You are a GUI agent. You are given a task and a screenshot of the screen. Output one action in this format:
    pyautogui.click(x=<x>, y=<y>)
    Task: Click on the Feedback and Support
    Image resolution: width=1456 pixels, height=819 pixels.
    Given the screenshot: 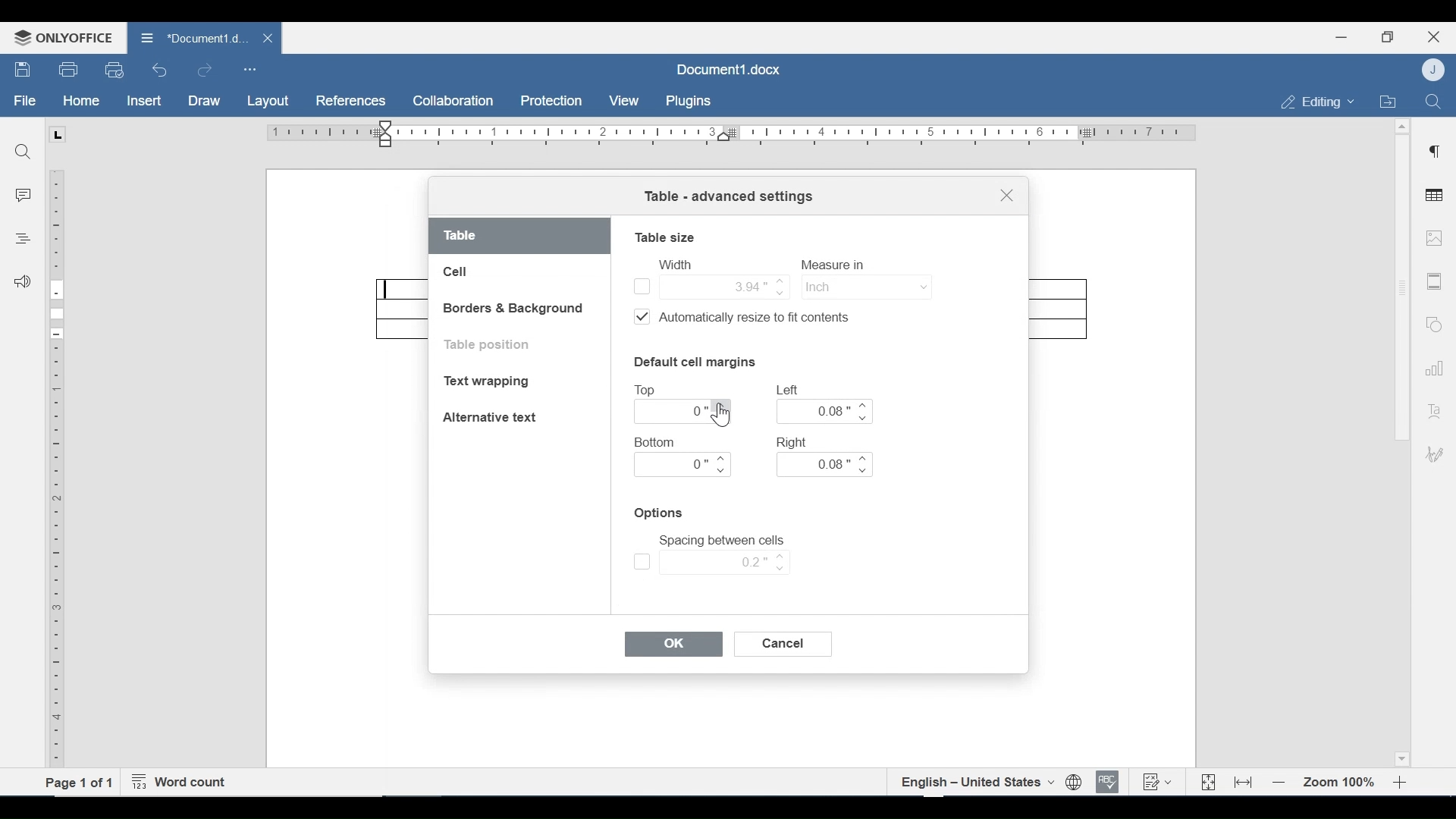 What is the action you would take?
    pyautogui.click(x=22, y=283)
    